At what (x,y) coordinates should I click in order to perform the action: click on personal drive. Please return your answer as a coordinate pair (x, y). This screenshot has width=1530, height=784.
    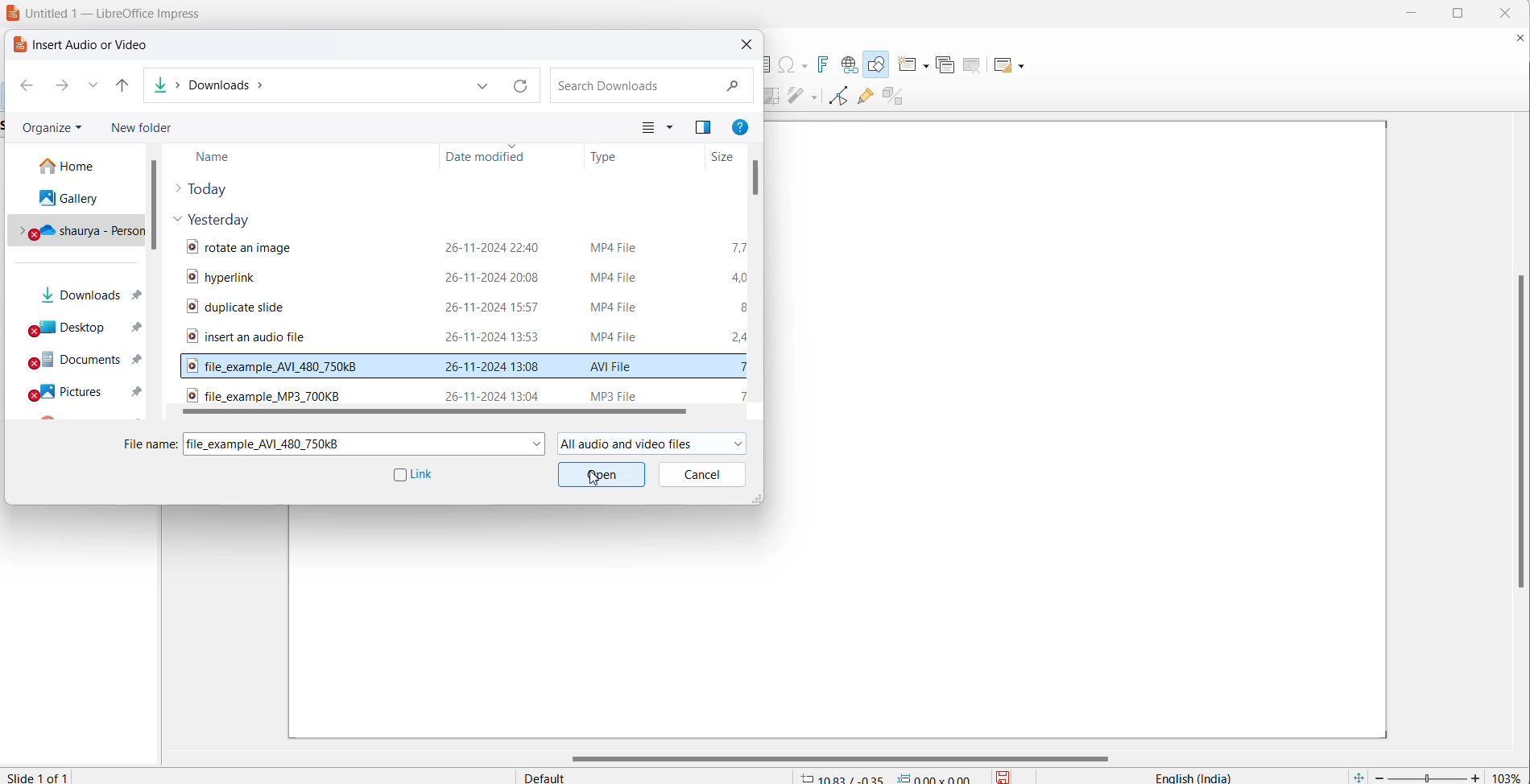
    Looking at the image, I should click on (84, 230).